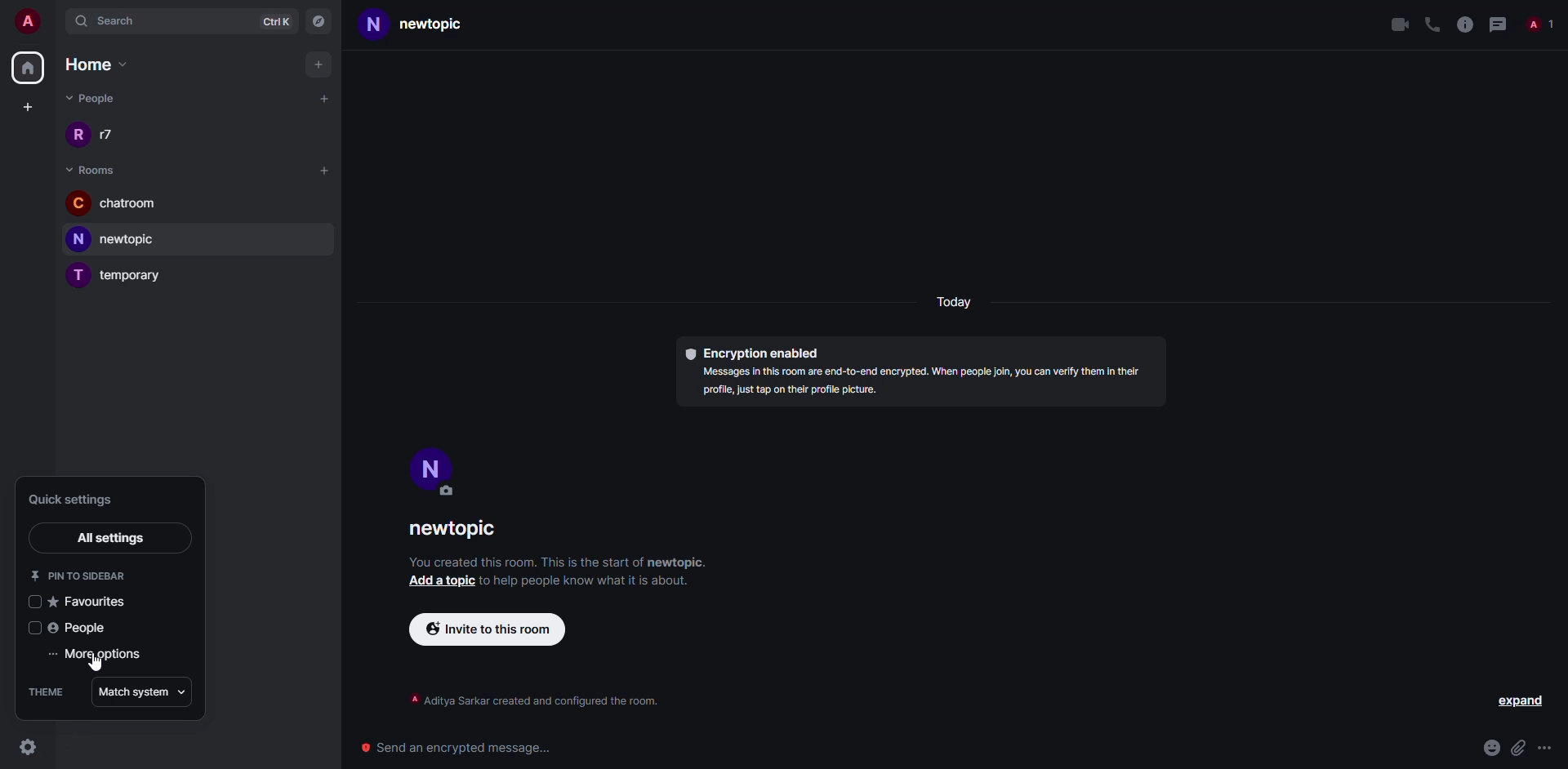 The height and width of the screenshot is (769, 1568). I want to click on home, so click(104, 64).